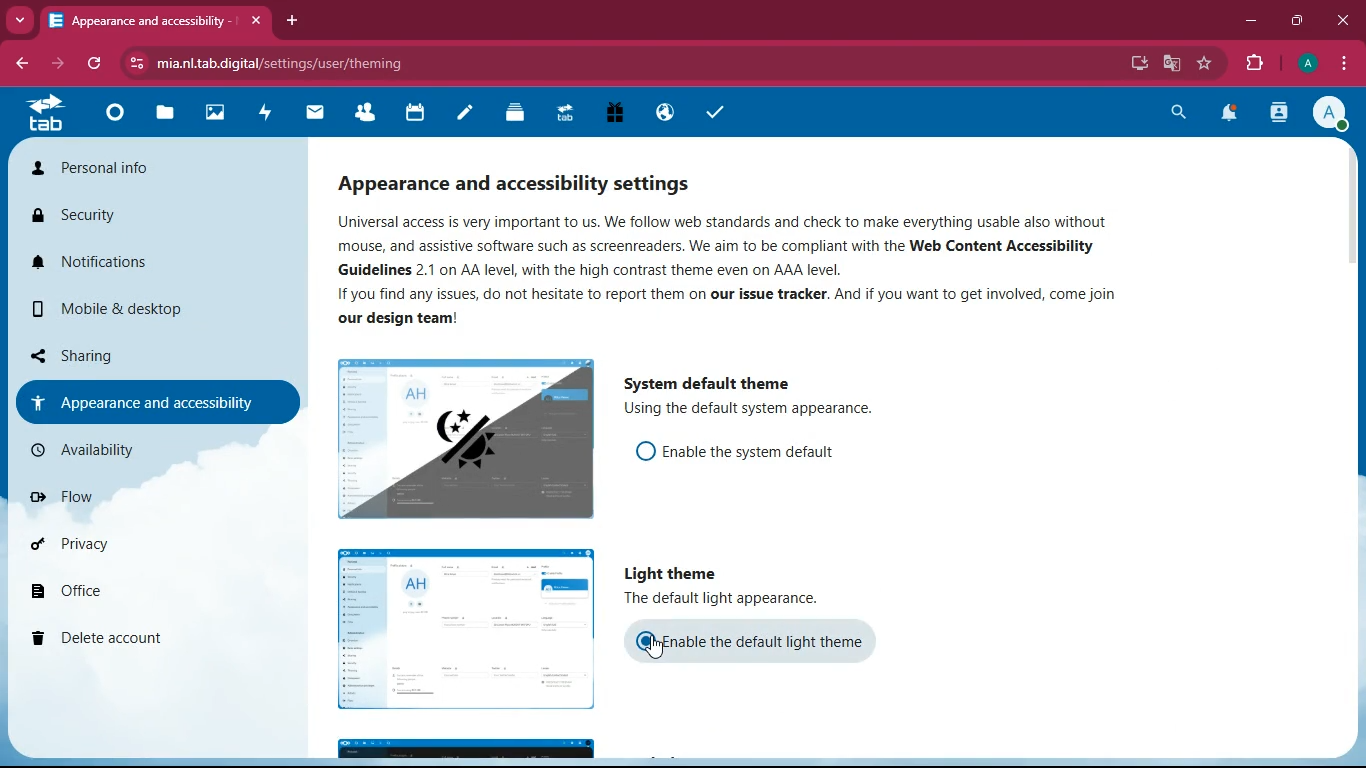 The width and height of the screenshot is (1366, 768). Describe the element at coordinates (757, 410) in the screenshot. I see `description` at that location.